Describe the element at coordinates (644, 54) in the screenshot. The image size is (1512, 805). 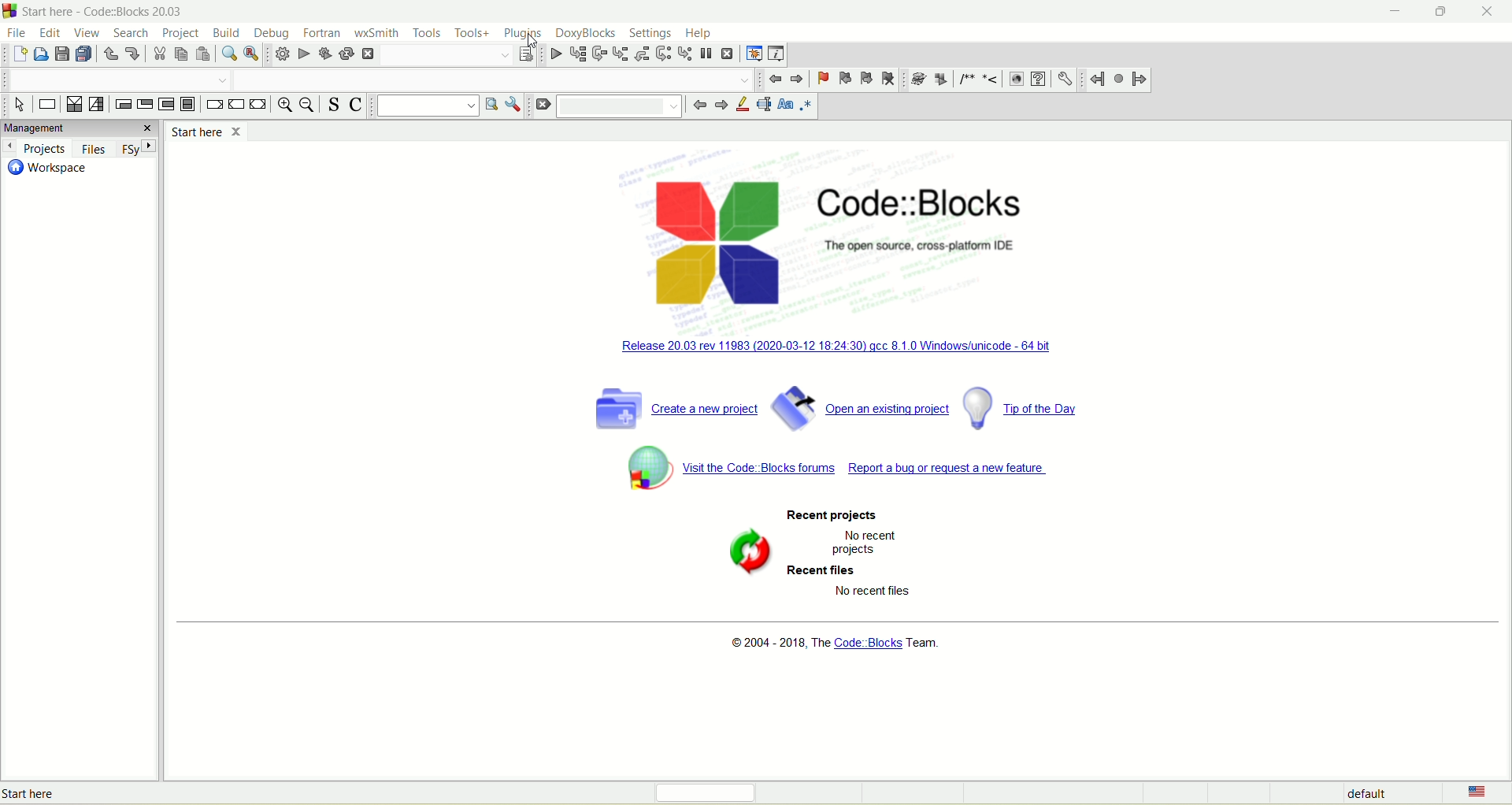
I see `step out` at that location.